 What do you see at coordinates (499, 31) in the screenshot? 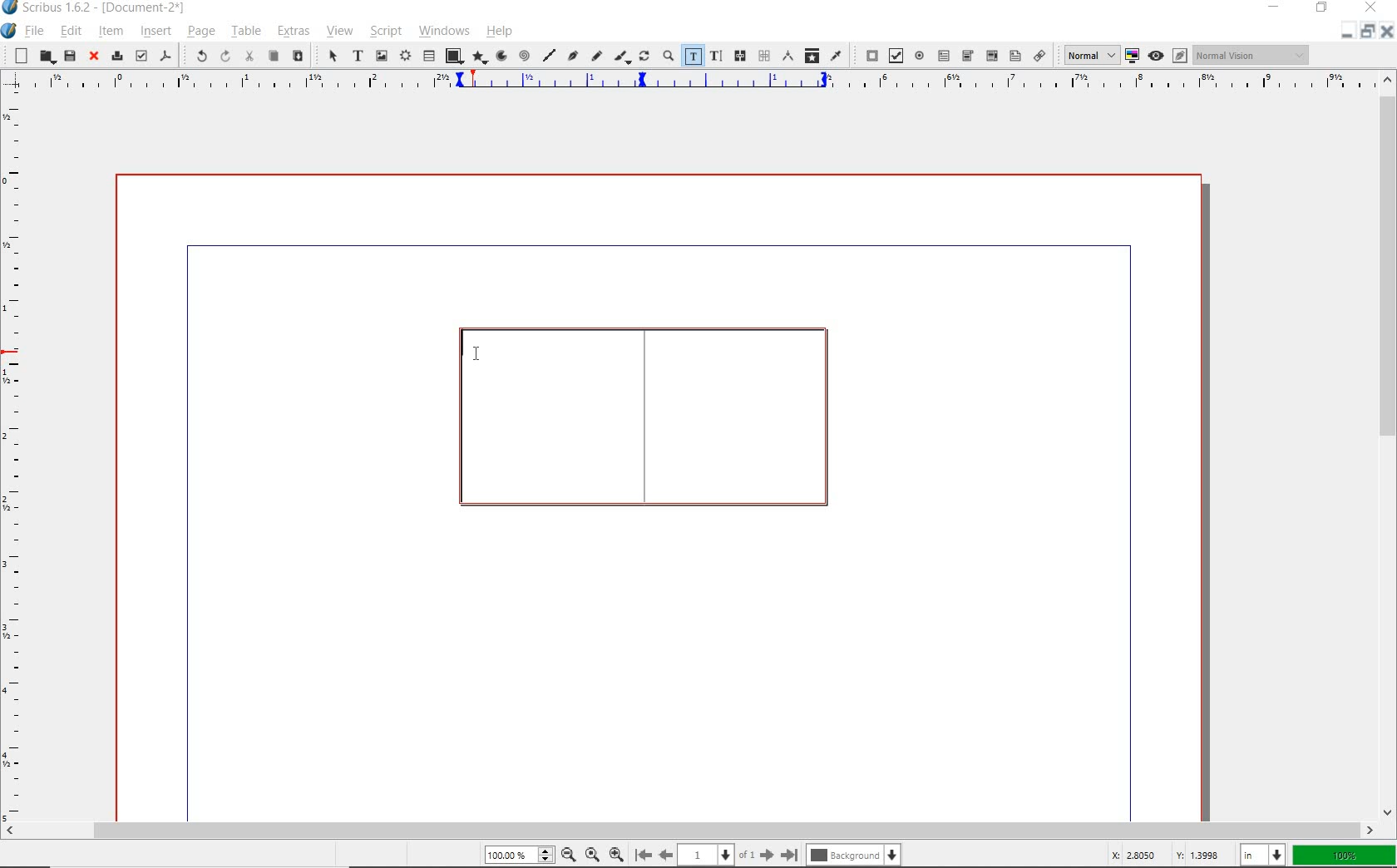
I see `help` at bounding box center [499, 31].